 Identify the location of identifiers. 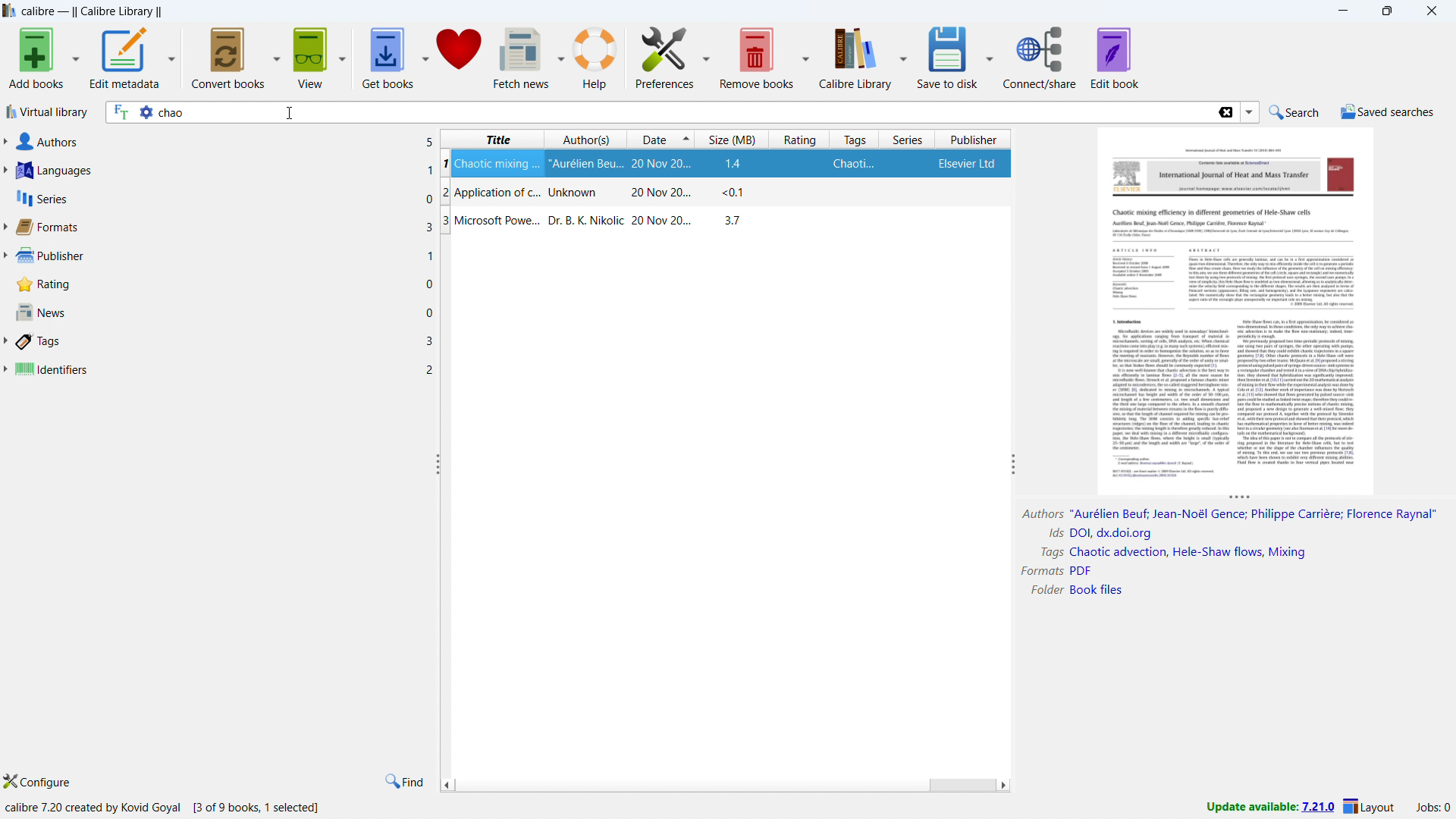
(224, 370).